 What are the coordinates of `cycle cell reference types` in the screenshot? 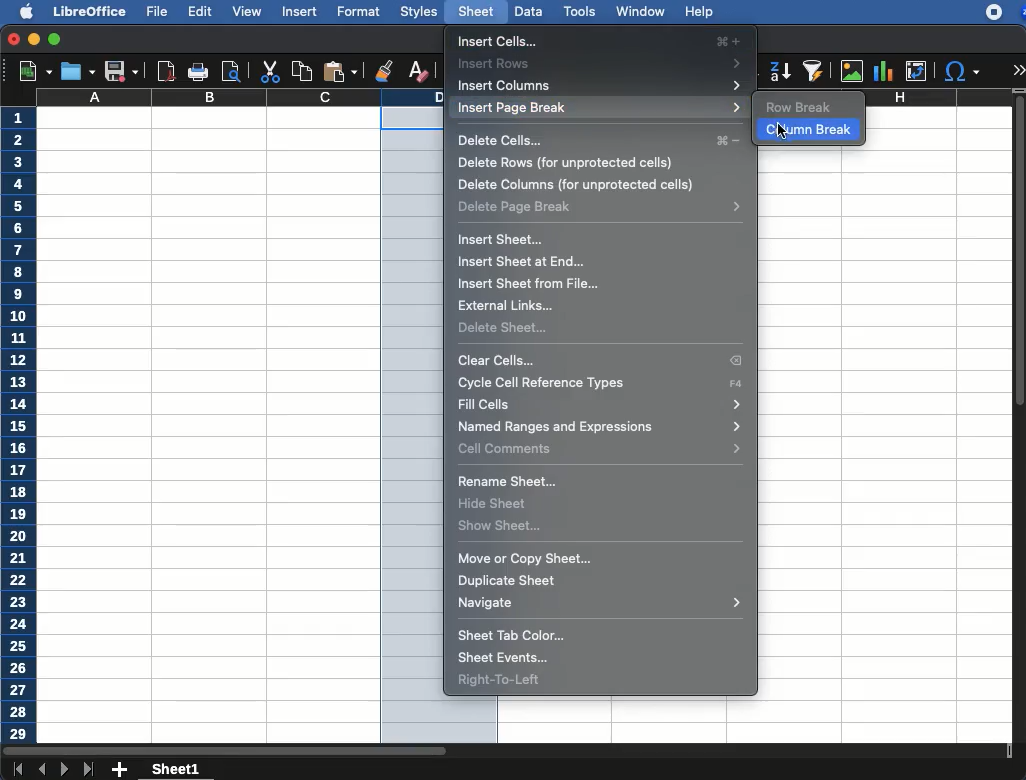 It's located at (605, 383).